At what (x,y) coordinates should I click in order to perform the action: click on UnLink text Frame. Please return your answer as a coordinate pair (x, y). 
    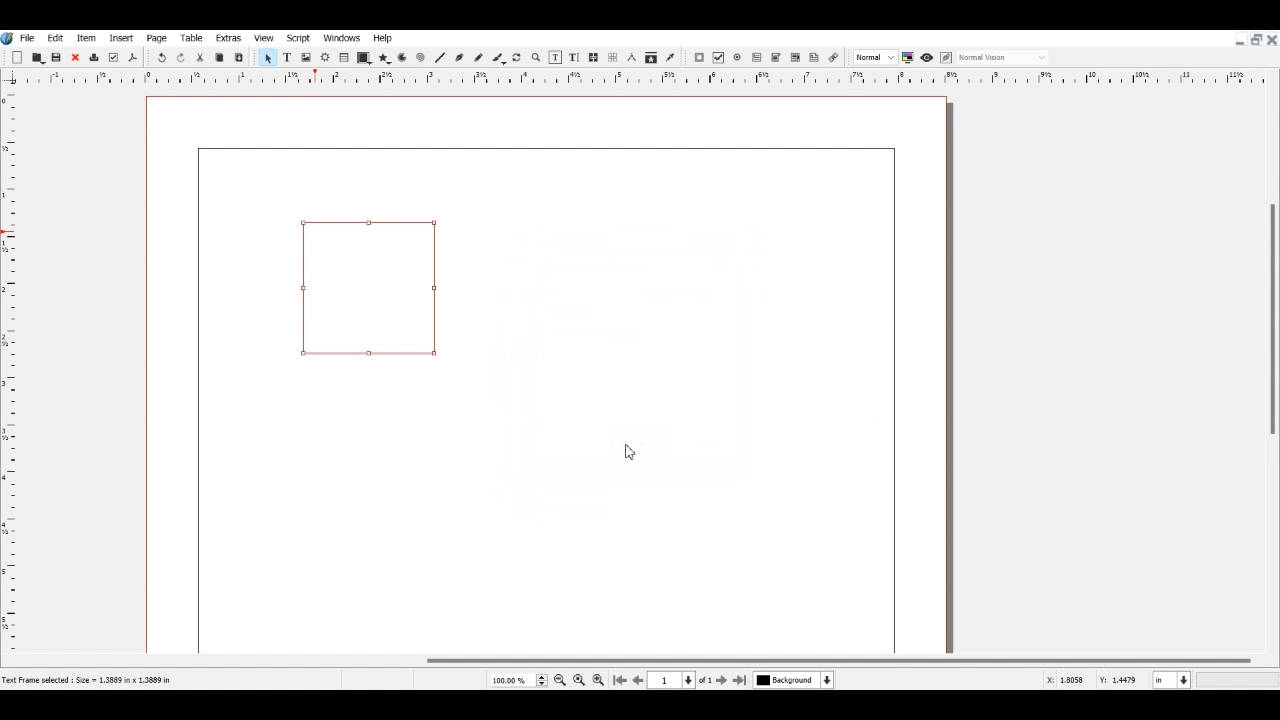
    Looking at the image, I should click on (613, 58).